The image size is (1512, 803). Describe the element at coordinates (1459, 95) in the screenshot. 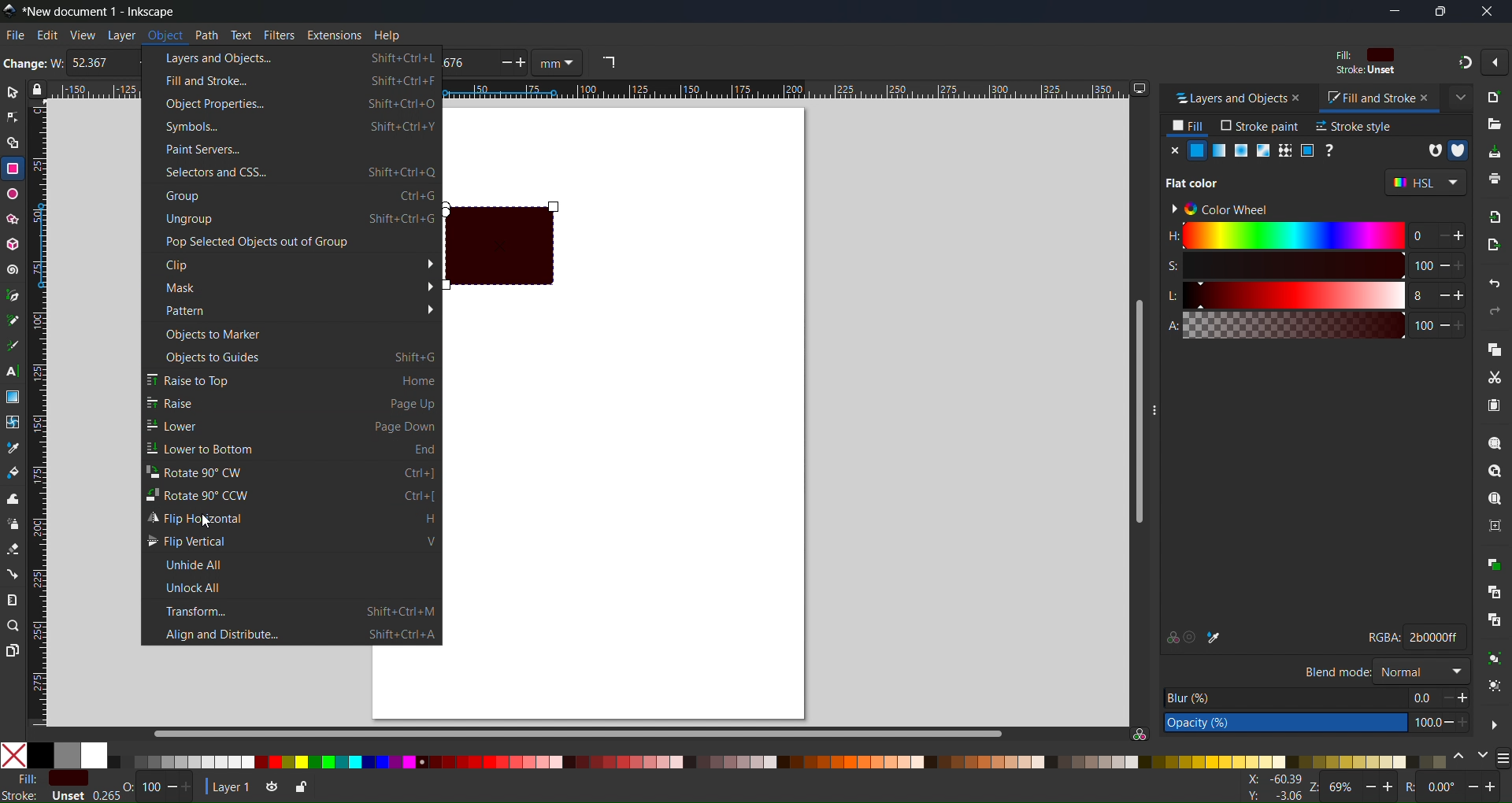

I see `Close current tab` at that location.